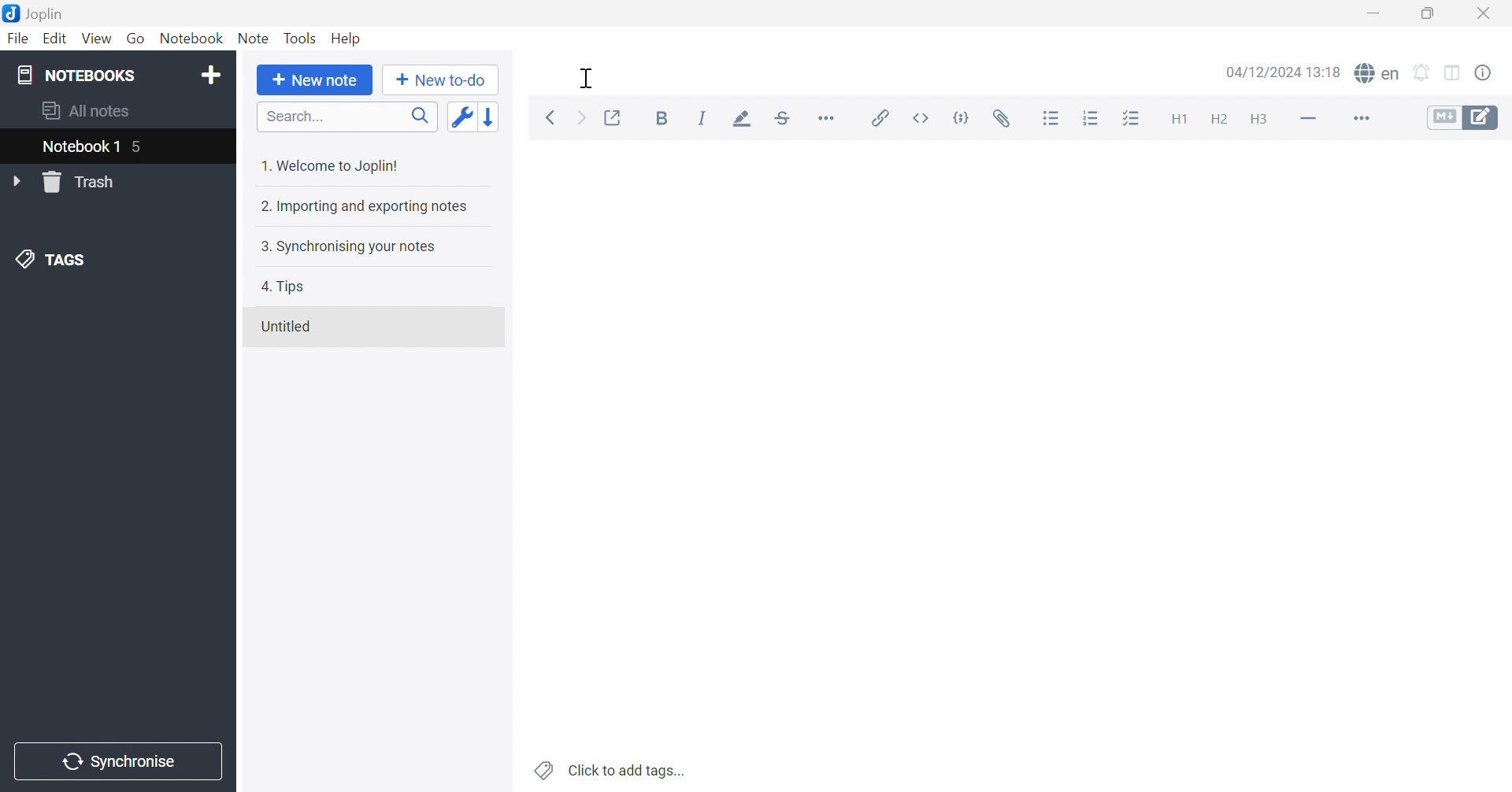  Describe the element at coordinates (193, 41) in the screenshot. I see `Notebook` at that location.